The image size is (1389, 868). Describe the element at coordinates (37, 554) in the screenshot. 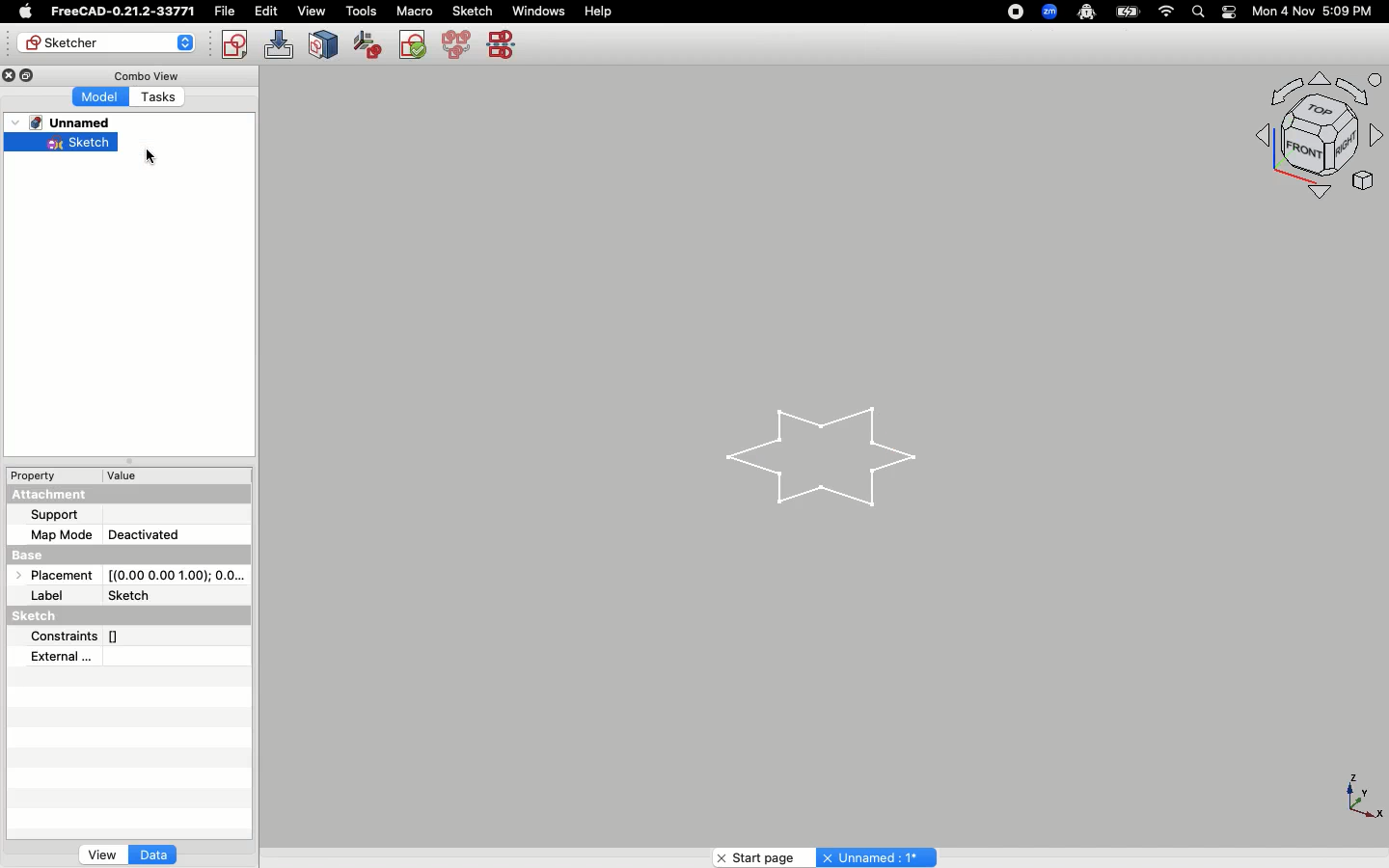

I see `Base` at that location.